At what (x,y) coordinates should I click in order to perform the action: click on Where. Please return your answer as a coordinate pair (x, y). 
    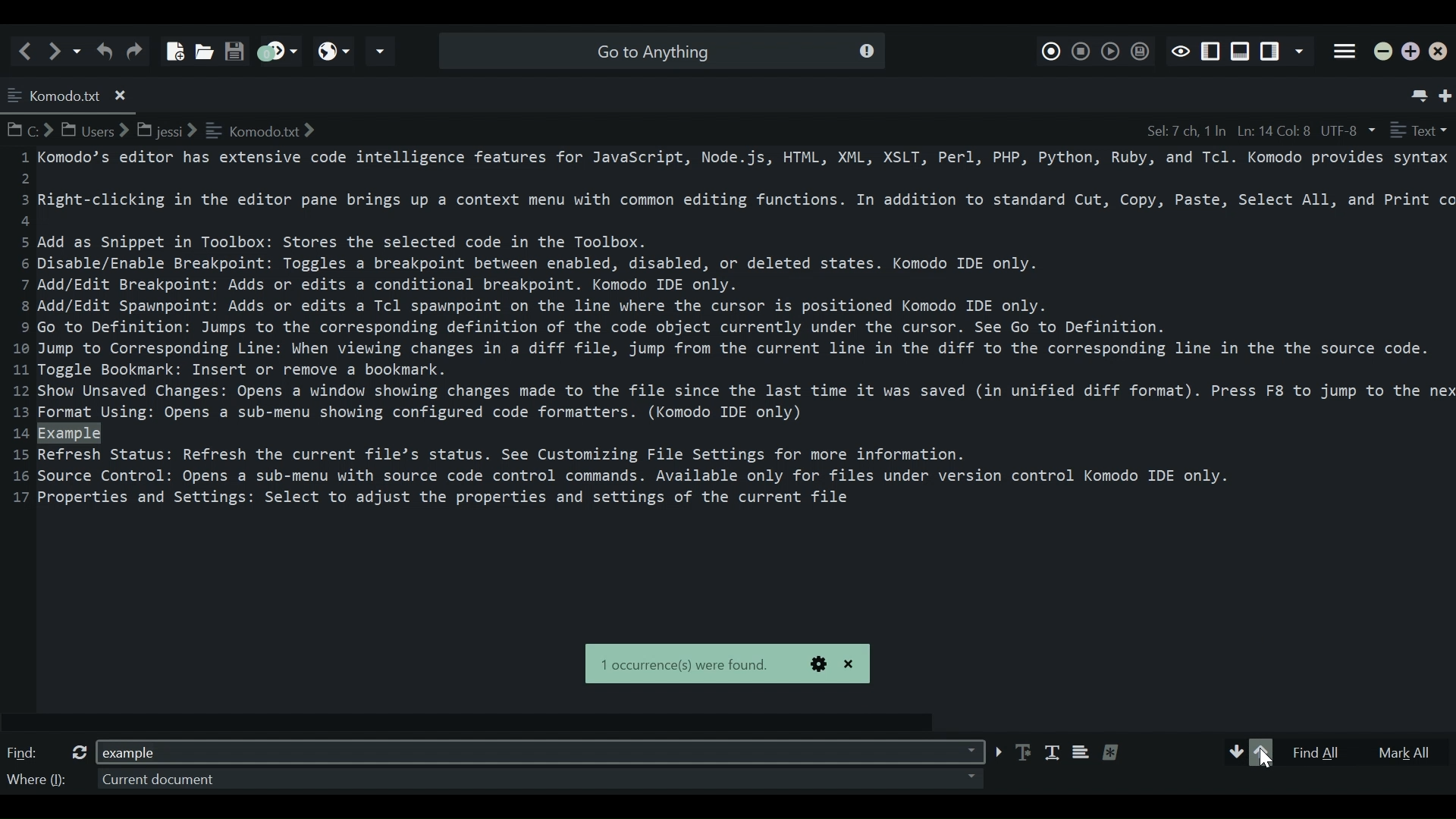
    Looking at the image, I should click on (36, 782).